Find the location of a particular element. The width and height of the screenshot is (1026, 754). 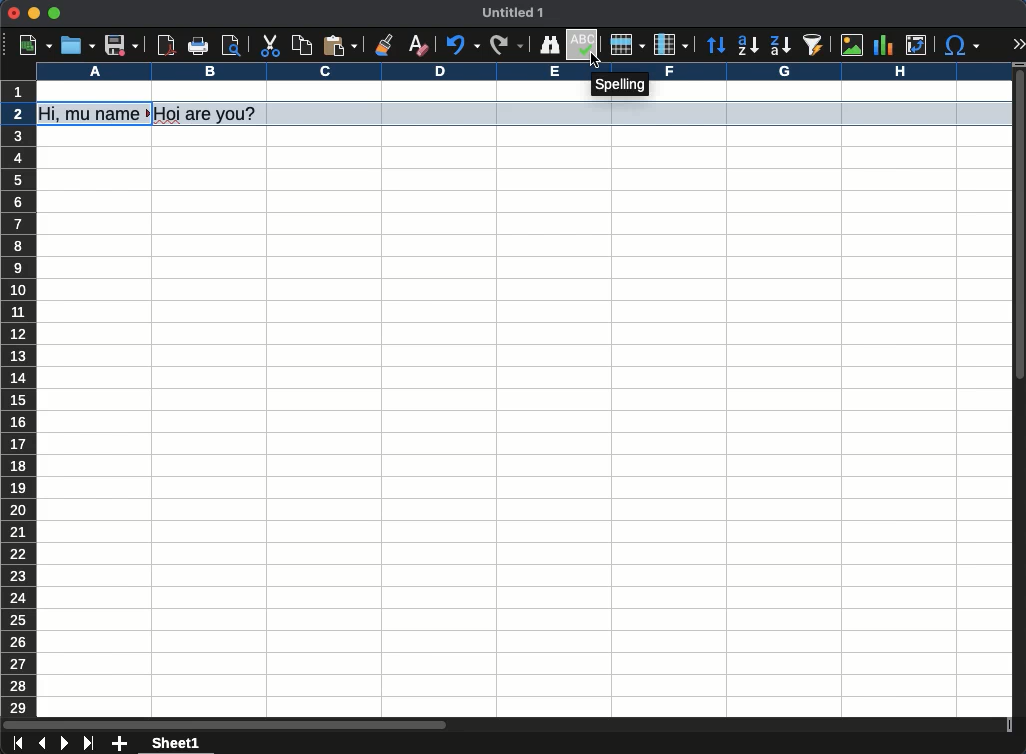

Hoi are you? is located at coordinates (207, 113).